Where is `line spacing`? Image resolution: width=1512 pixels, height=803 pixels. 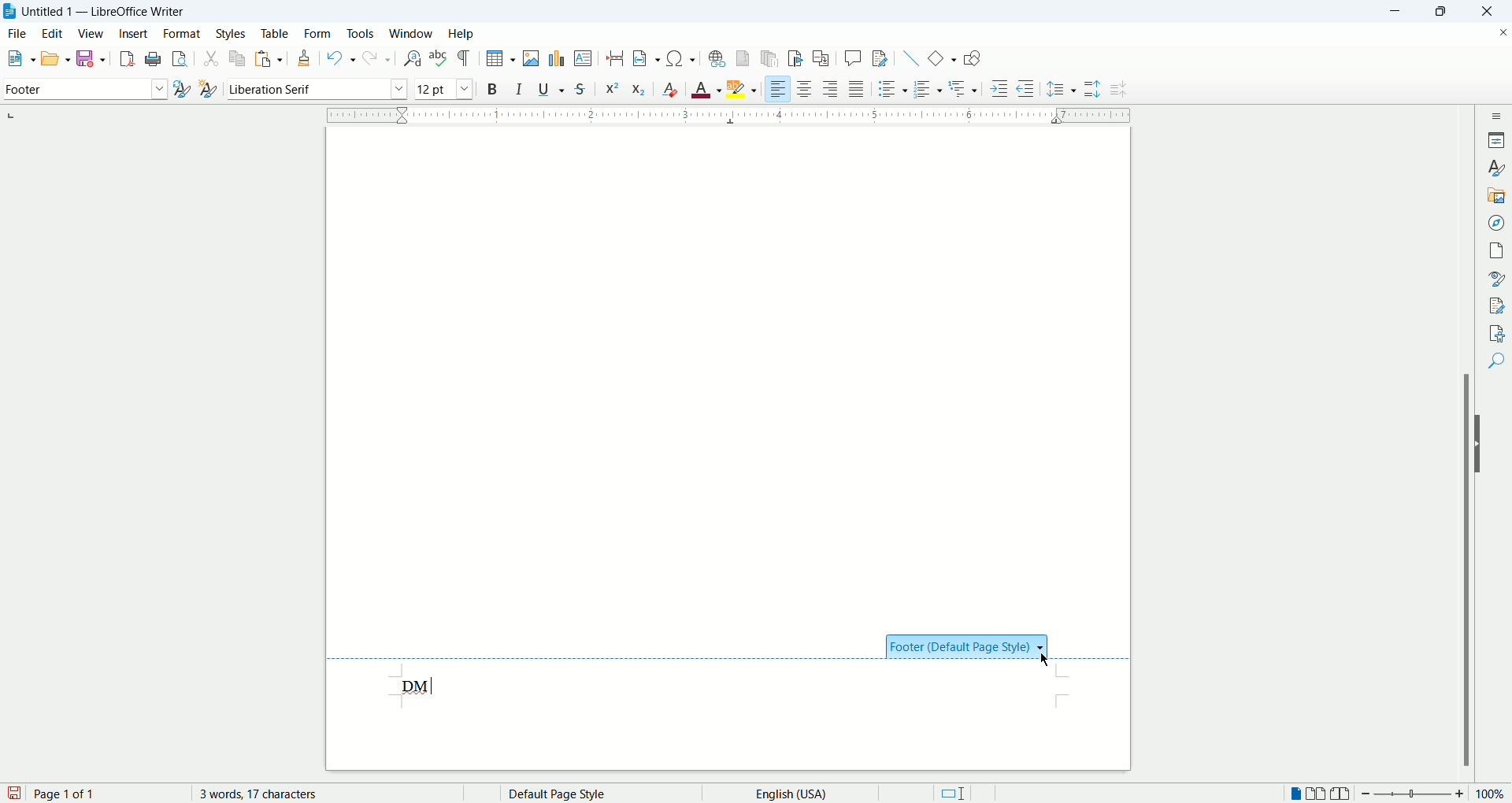 line spacing is located at coordinates (1062, 91).